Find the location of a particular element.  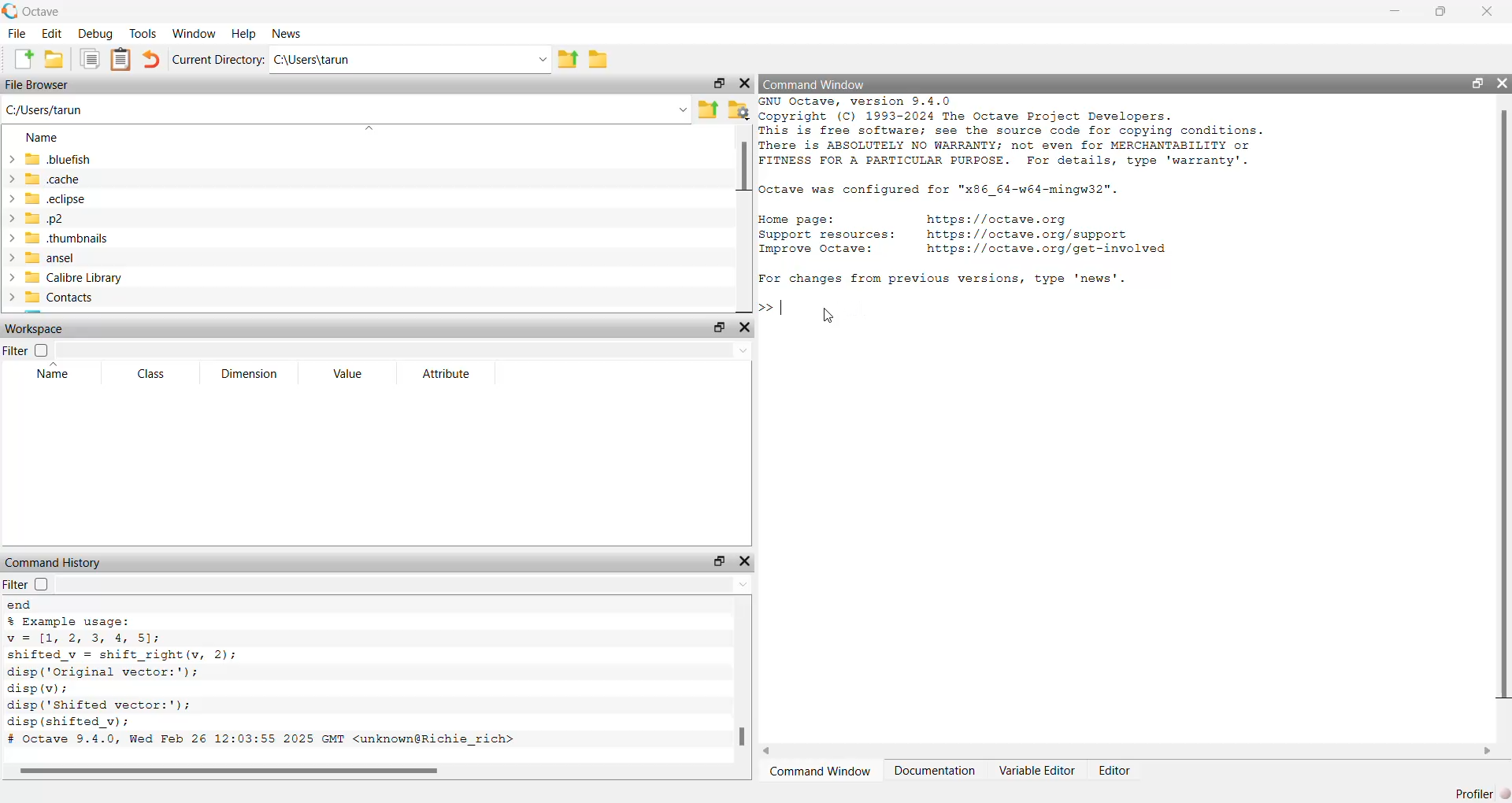

detail of octave configuration is located at coordinates (959, 189).